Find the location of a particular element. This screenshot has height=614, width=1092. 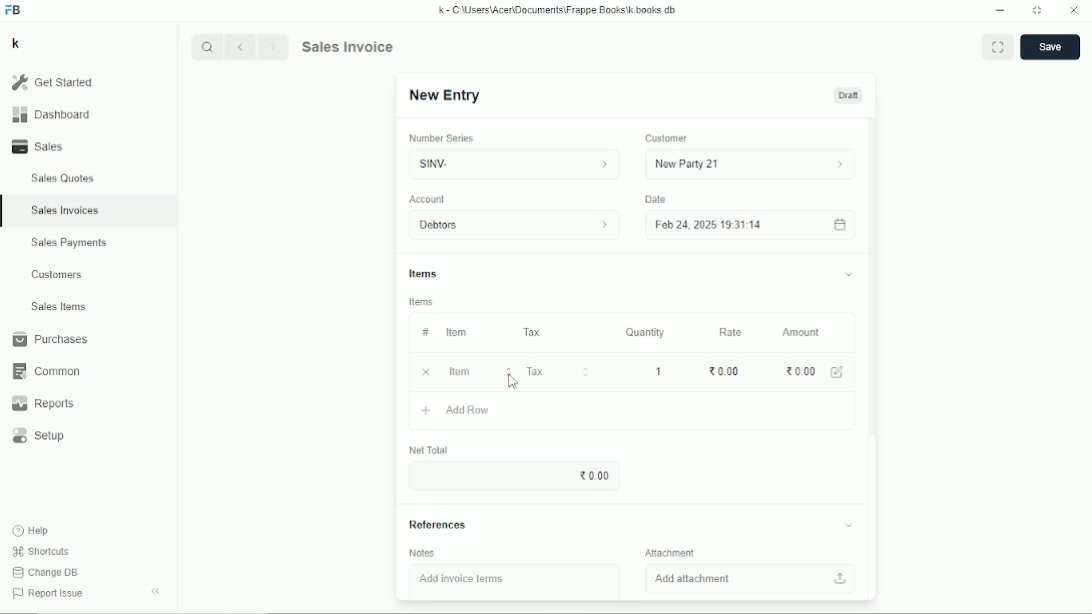

Edit is located at coordinates (839, 372).